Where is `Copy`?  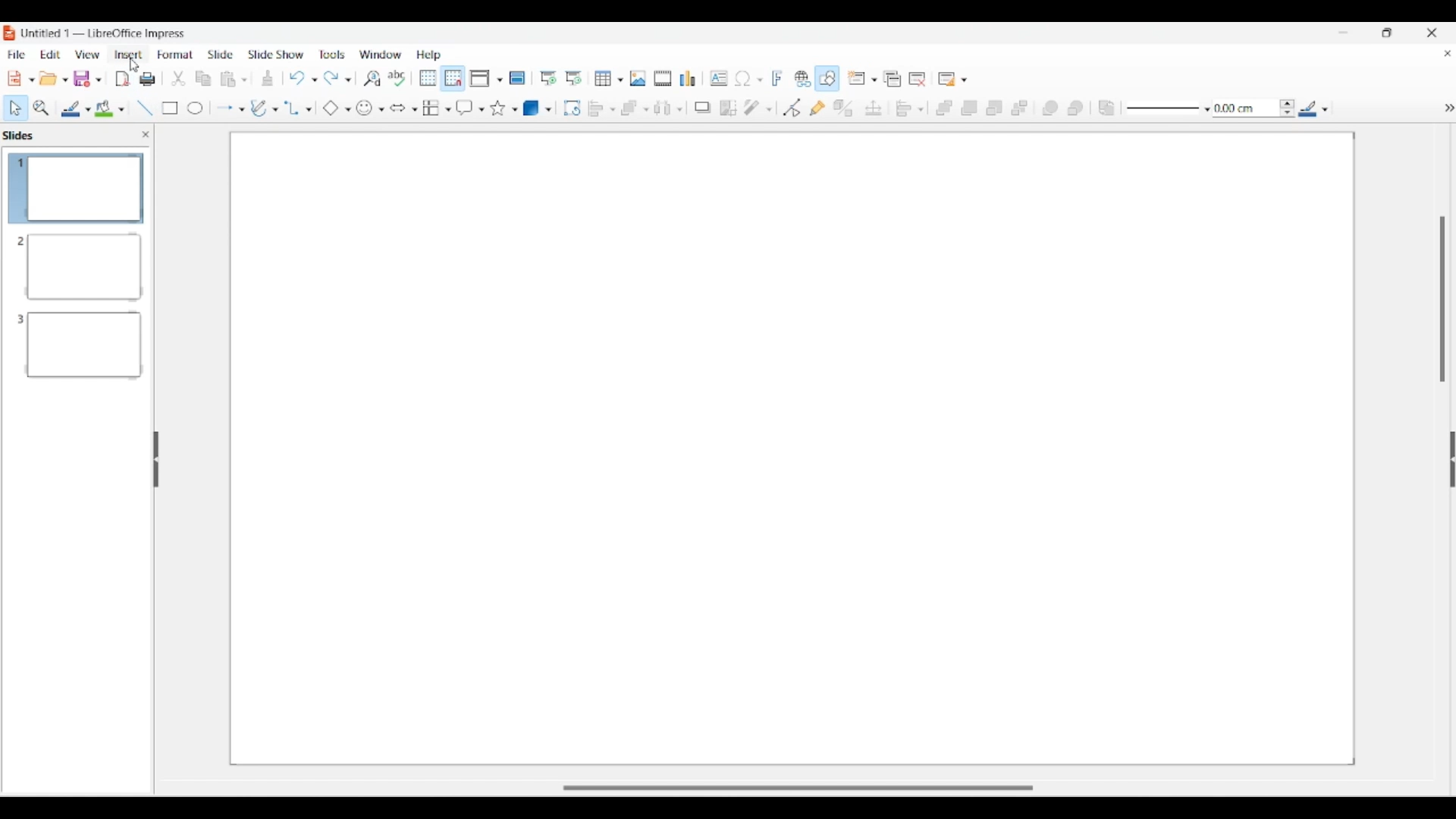 Copy is located at coordinates (203, 79).